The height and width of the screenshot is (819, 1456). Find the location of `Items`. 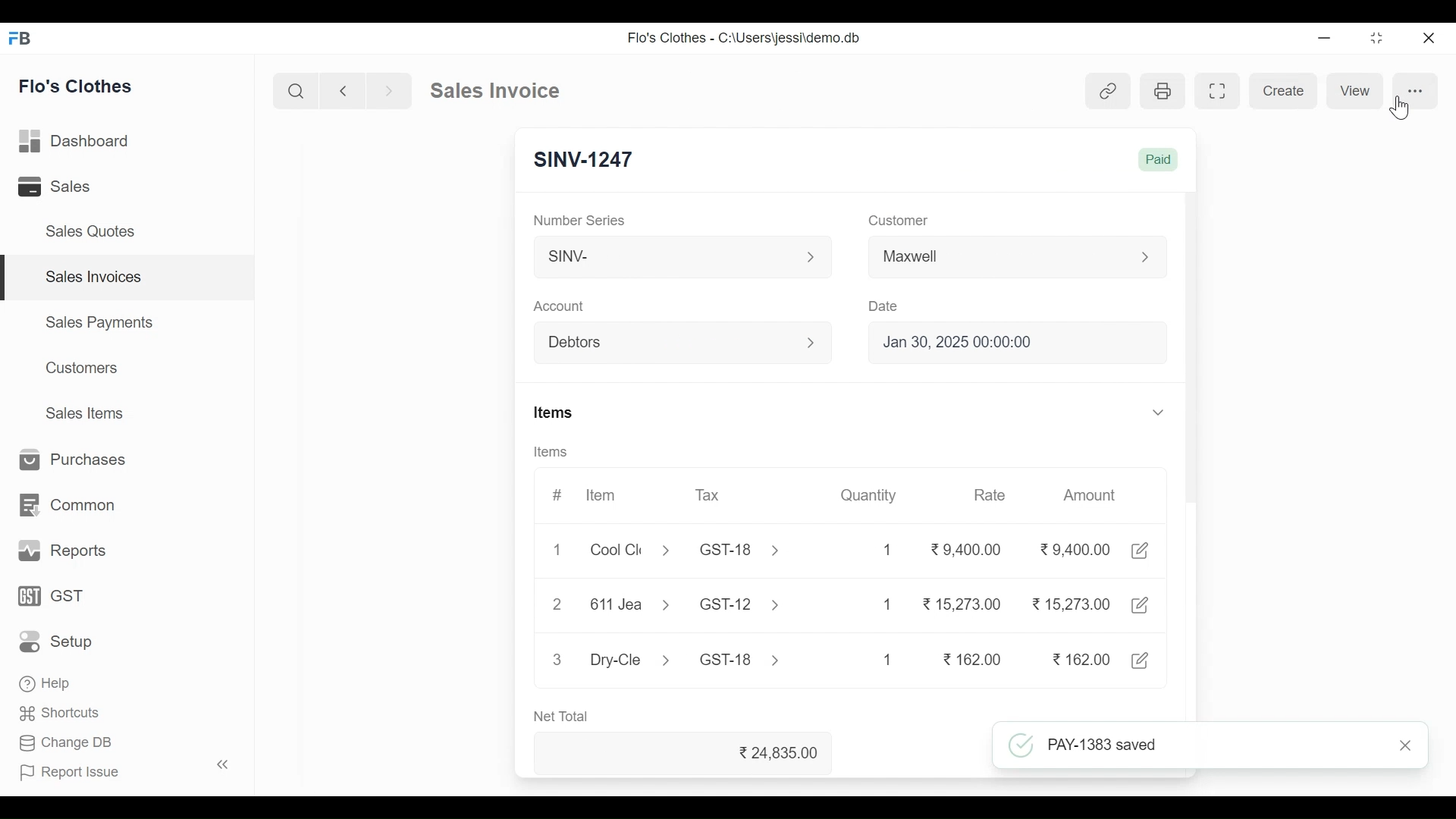

Items is located at coordinates (560, 413).